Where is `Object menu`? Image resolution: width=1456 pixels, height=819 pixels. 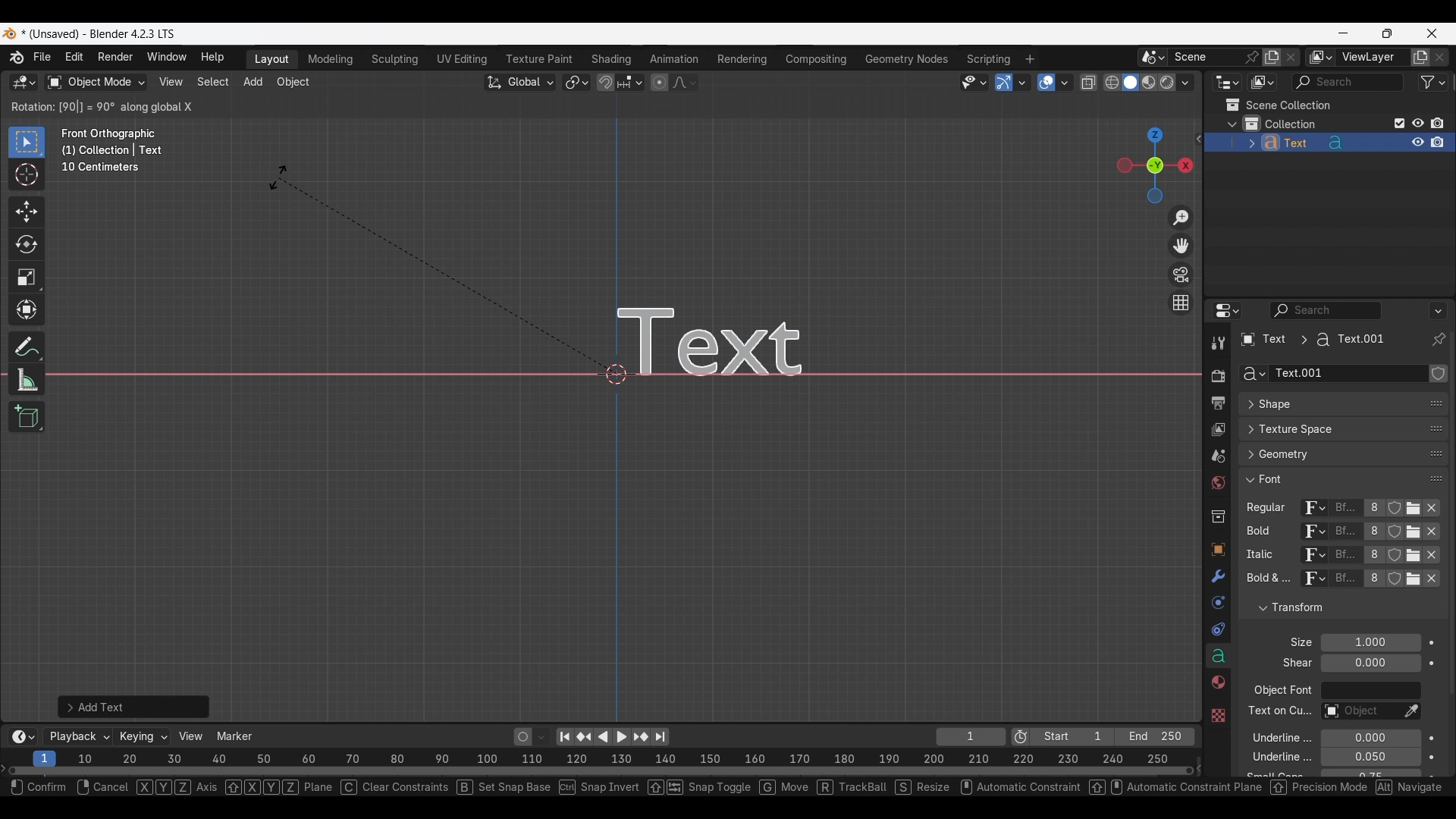 Object menu is located at coordinates (294, 83).